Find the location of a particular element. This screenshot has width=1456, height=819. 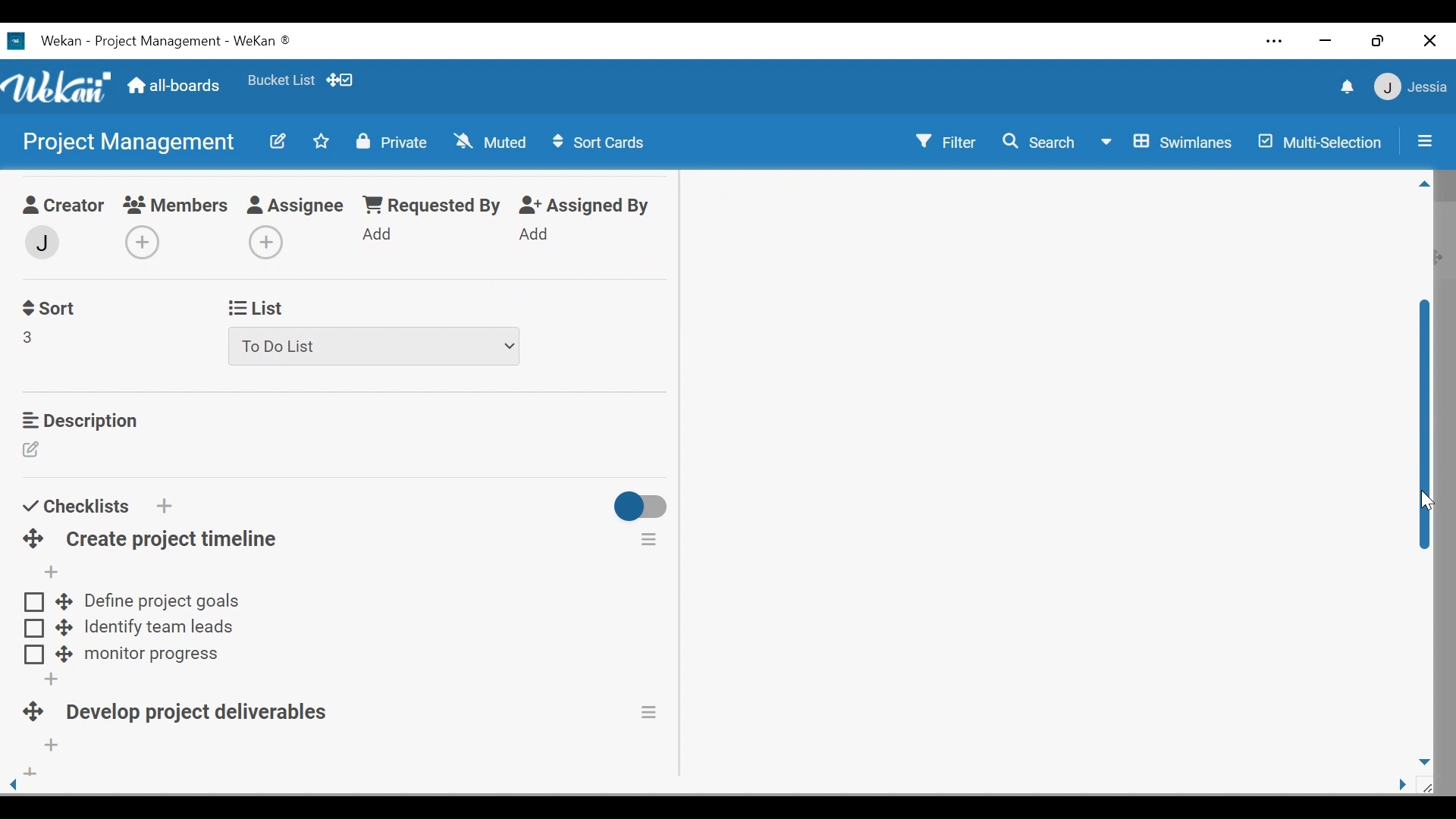

 is located at coordinates (177, 205).